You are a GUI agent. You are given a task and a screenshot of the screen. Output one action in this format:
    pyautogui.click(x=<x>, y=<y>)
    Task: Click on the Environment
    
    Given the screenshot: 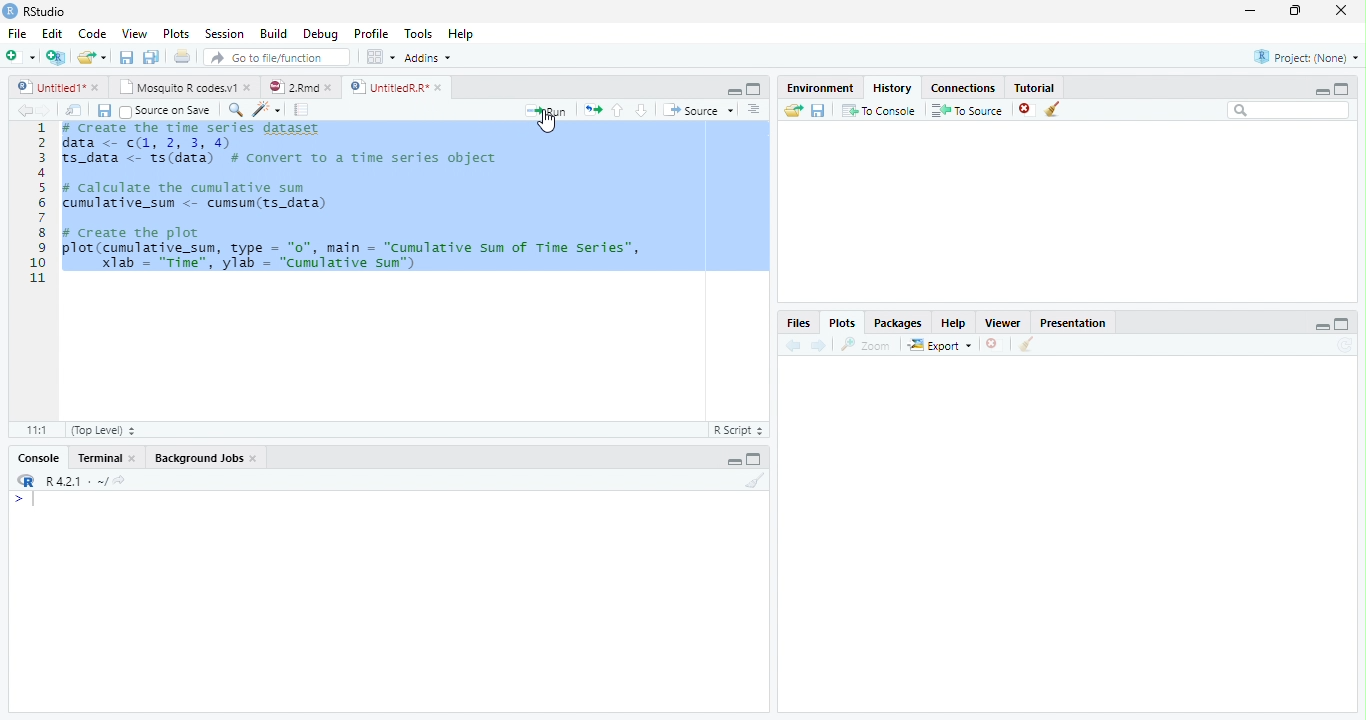 What is the action you would take?
    pyautogui.click(x=820, y=87)
    